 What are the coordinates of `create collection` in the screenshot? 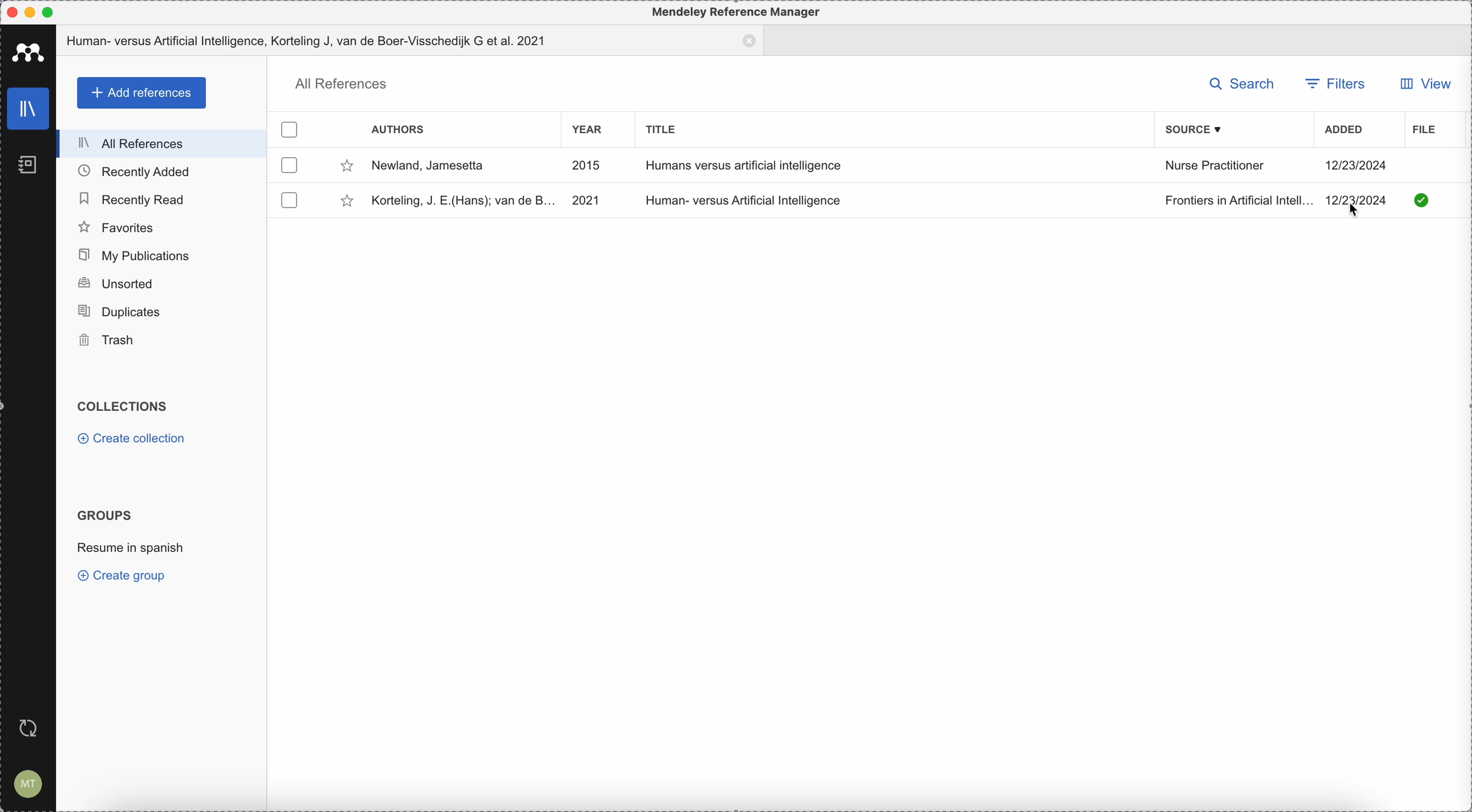 It's located at (131, 439).